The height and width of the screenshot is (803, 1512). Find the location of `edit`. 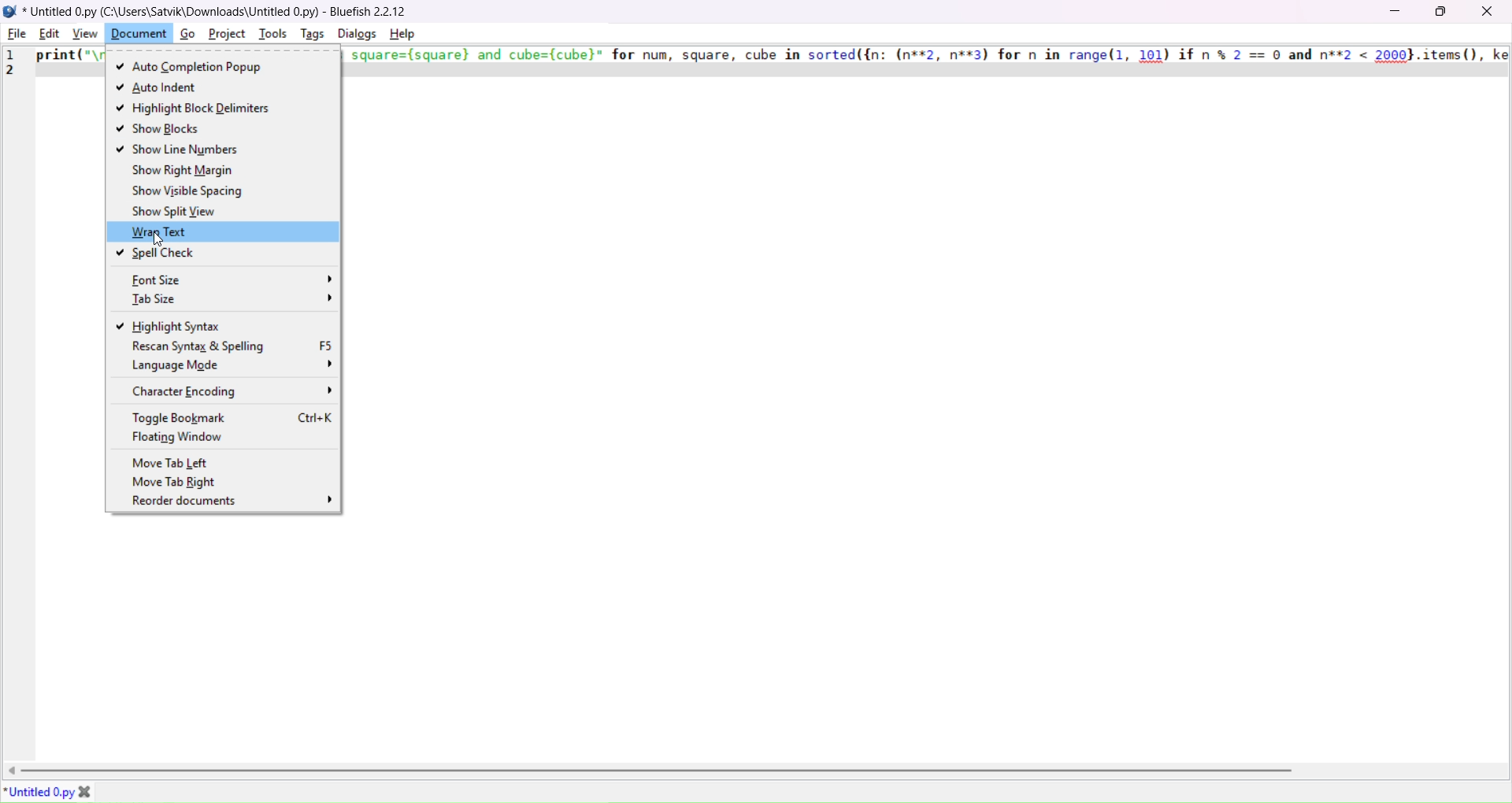

edit is located at coordinates (50, 35).